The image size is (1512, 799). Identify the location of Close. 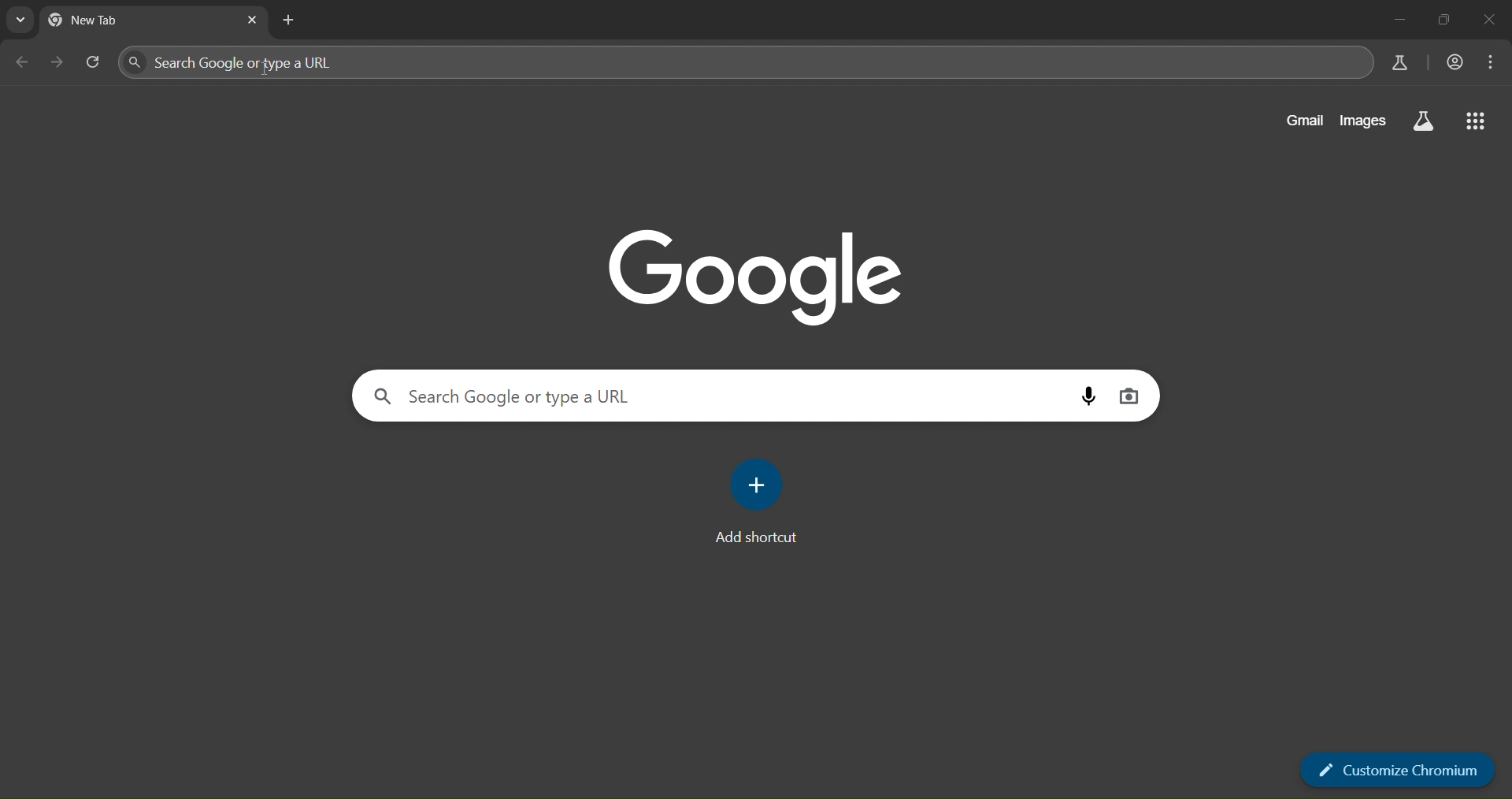
(1492, 18).